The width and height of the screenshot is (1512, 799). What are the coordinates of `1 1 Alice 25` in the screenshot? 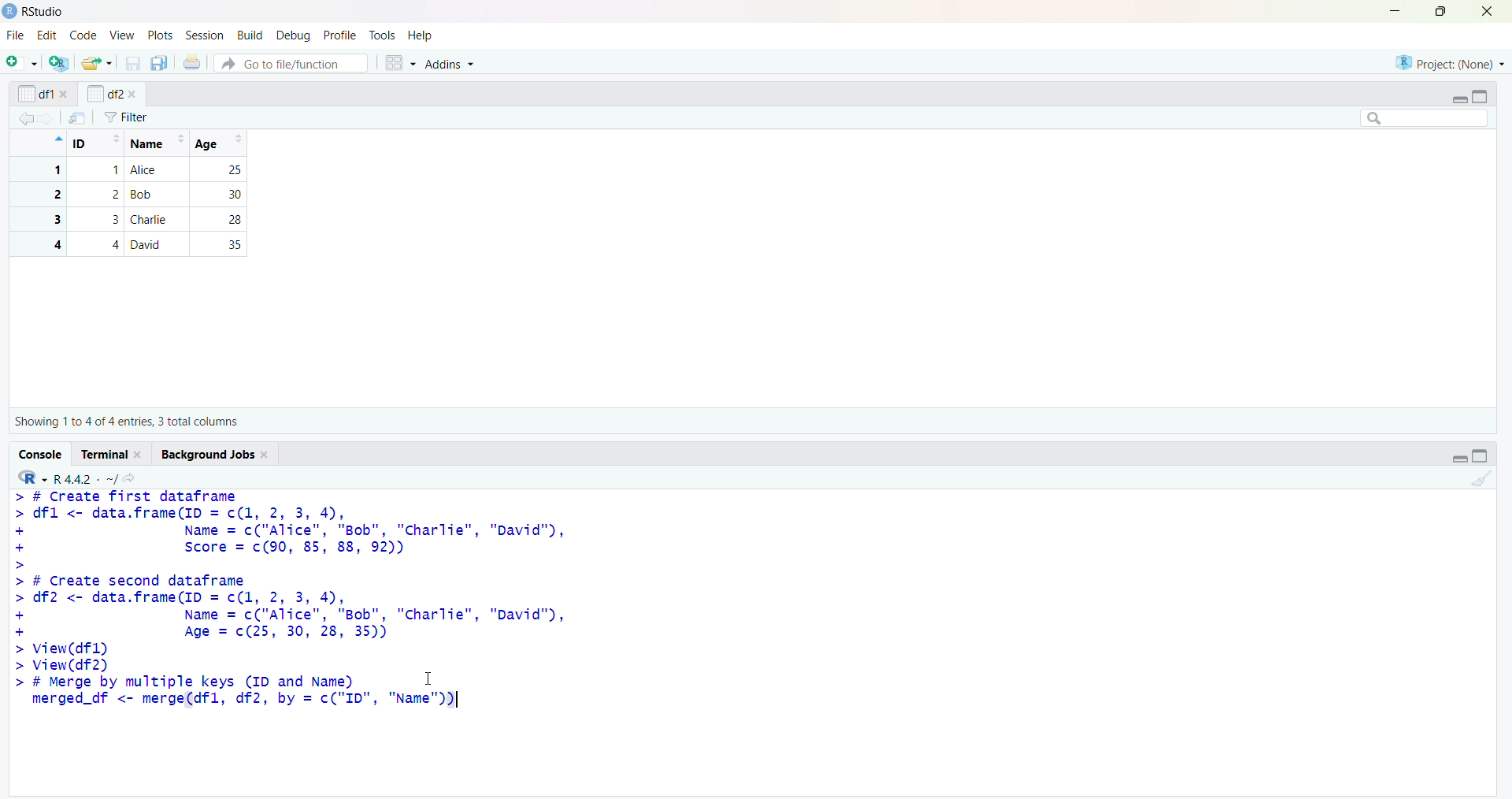 It's located at (135, 170).